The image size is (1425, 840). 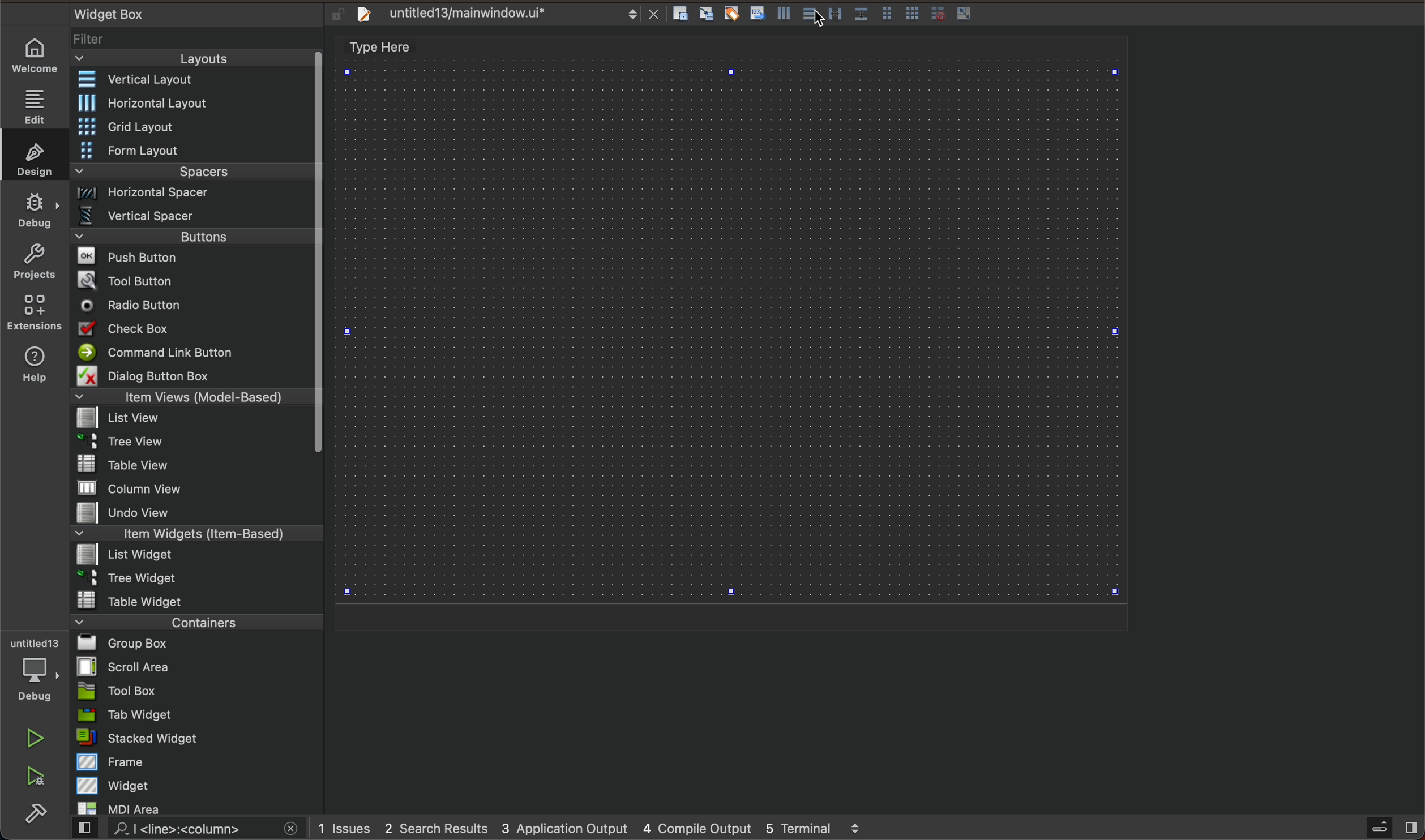 What do you see at coordinates (194, 739) in the screenshot?
I see `stacked widget` at bounding box center [194, 739].